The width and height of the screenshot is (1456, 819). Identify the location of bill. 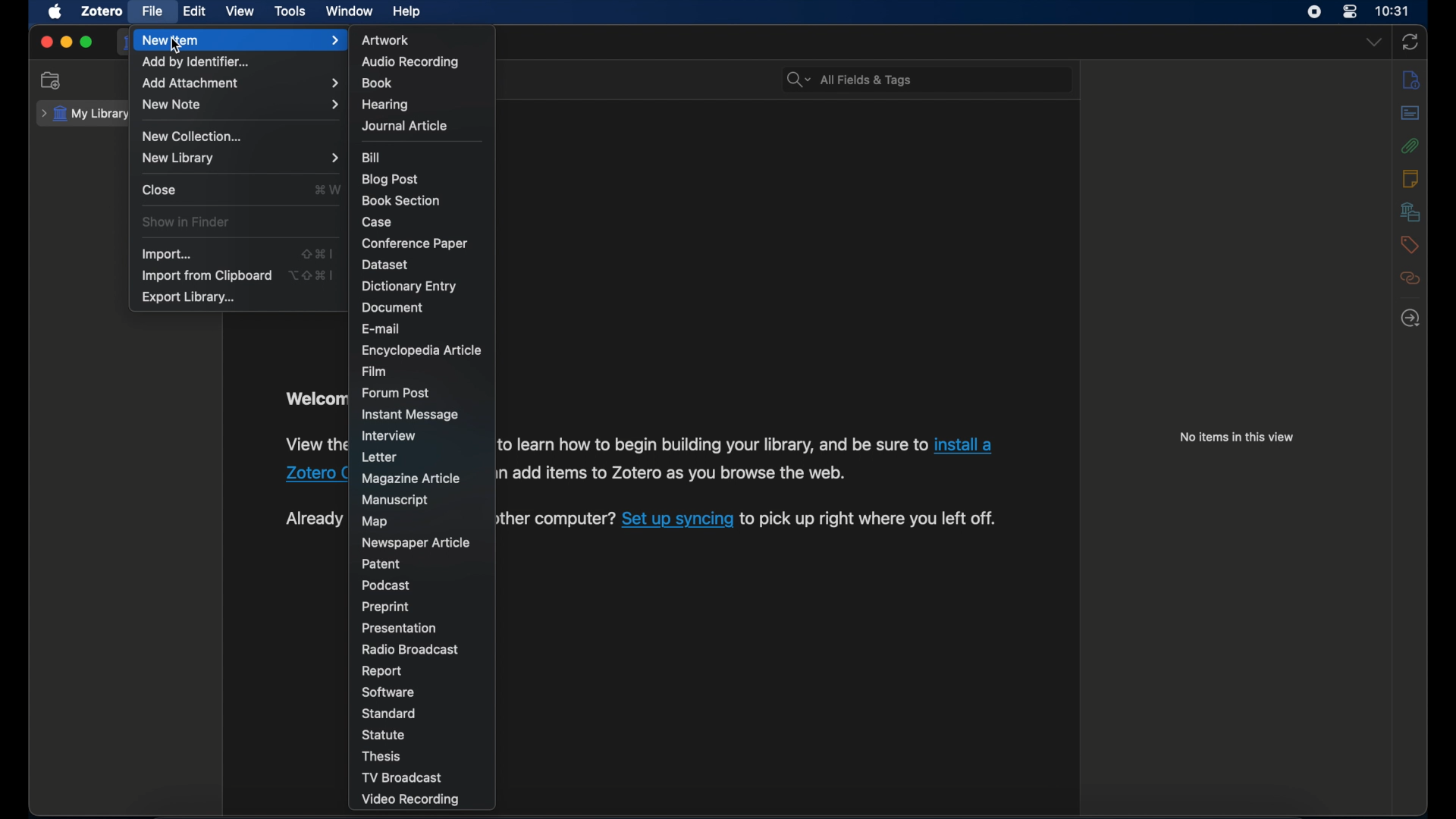
(372, 158).